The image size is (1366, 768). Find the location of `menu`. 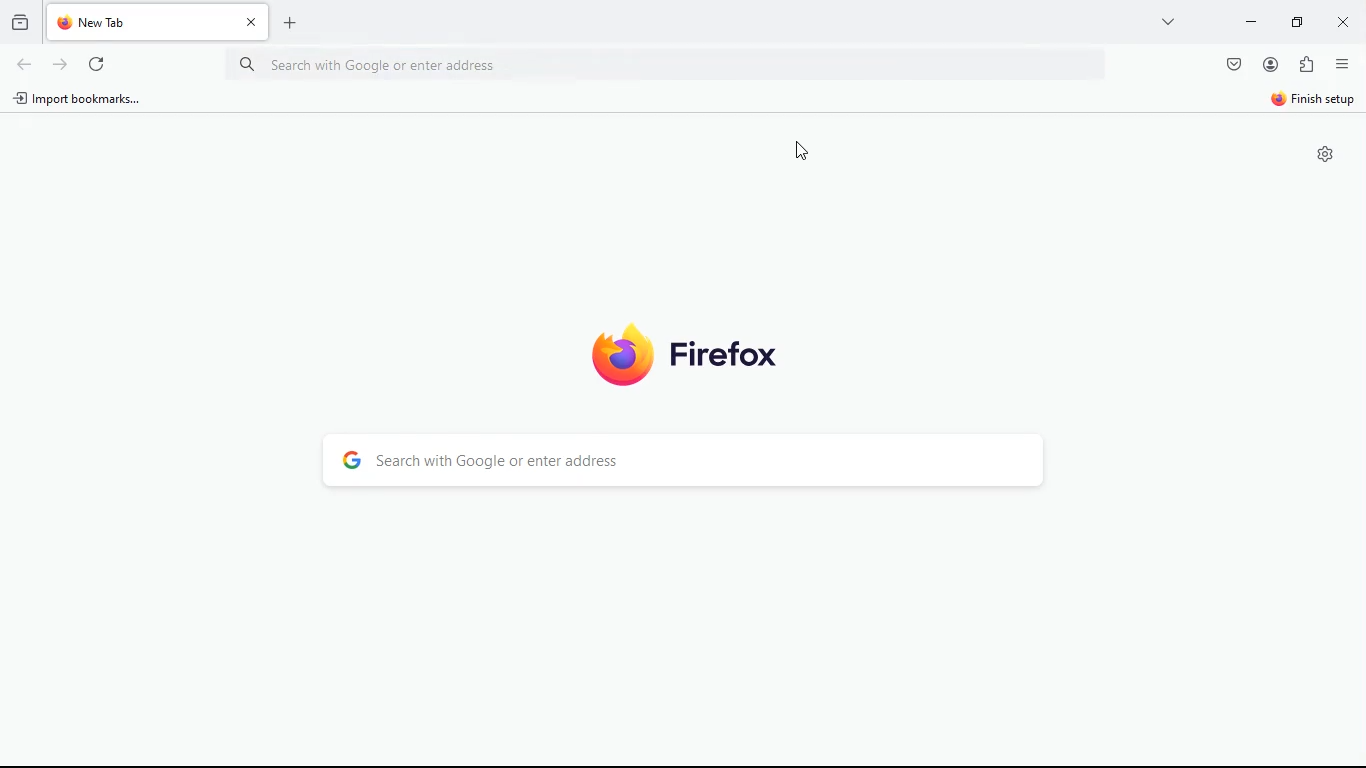

menu is located at coordinates (1341, 63).